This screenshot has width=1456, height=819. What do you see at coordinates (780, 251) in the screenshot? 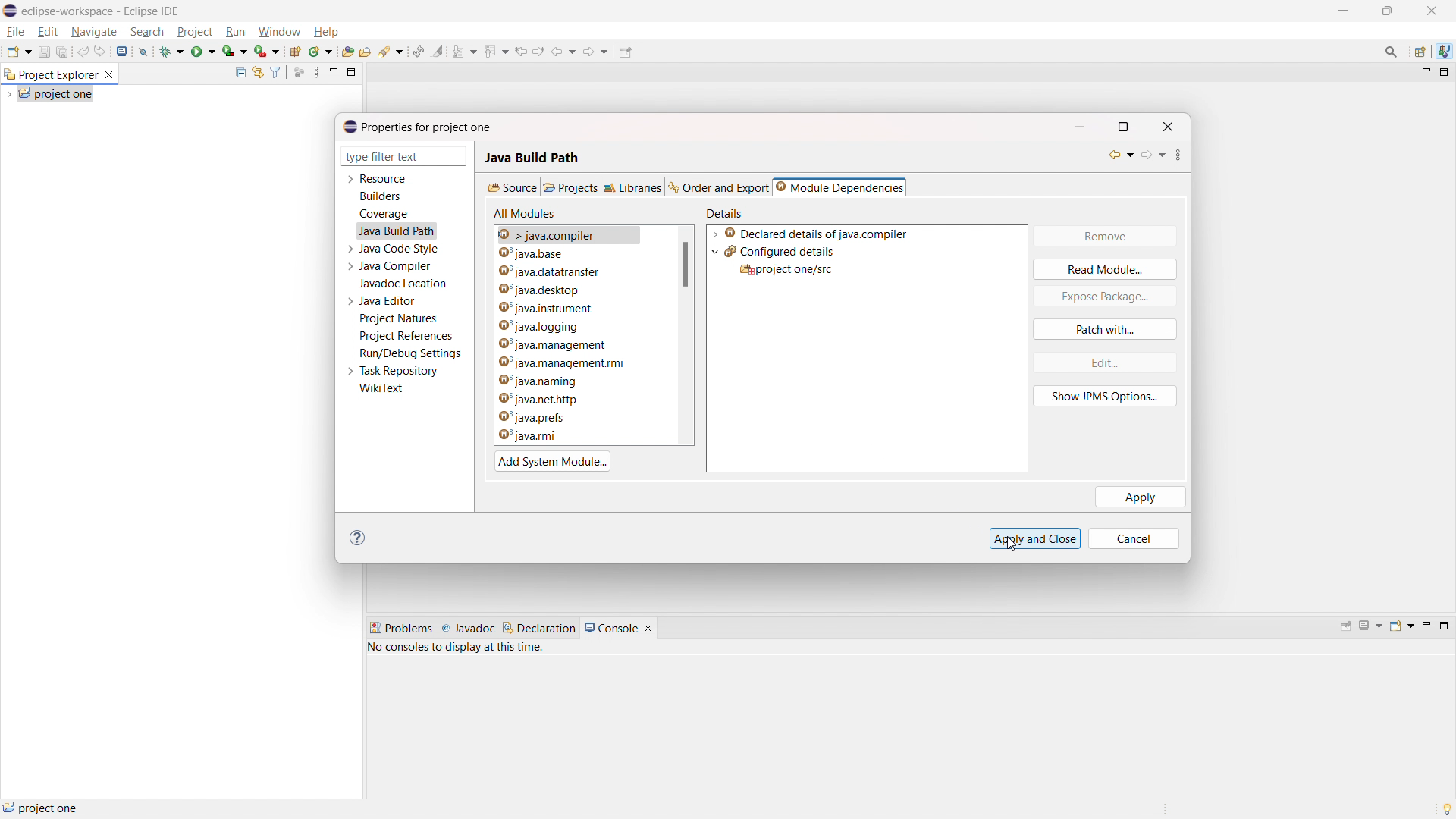
I see `configured details` at bounding box center [780, 251].